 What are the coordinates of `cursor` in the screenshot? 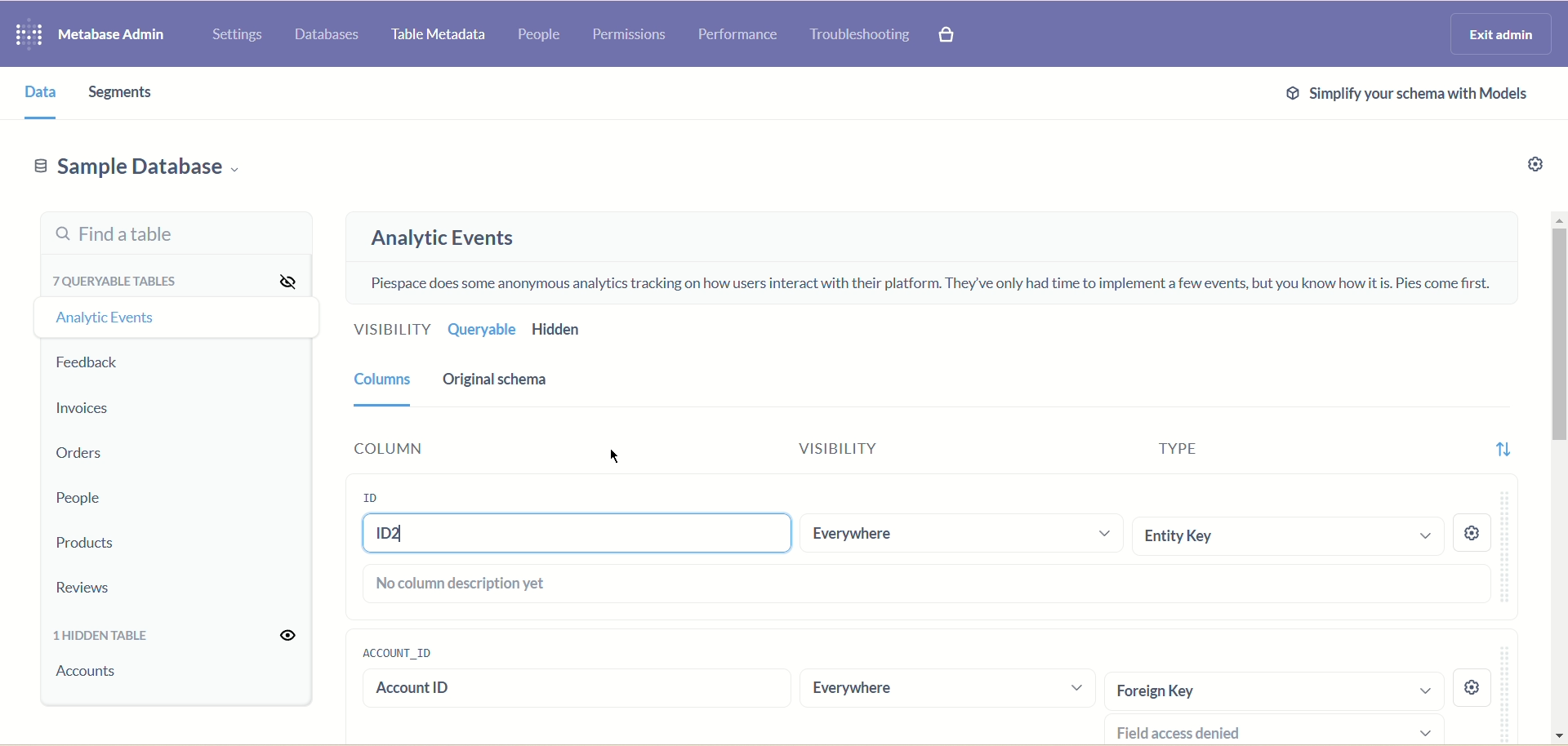 It's located at (617, 459).